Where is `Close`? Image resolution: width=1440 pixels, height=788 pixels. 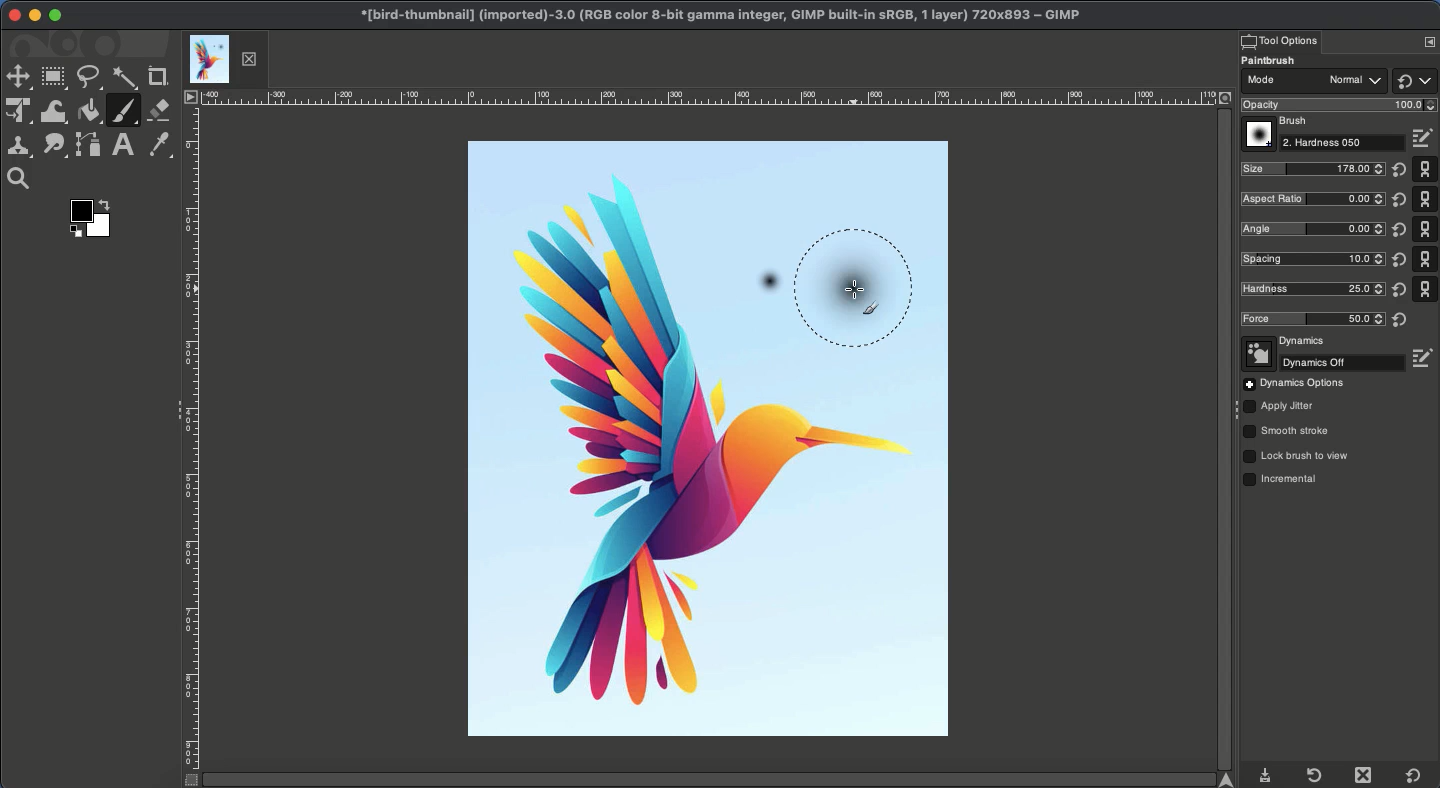
Close is located at coordinates (15, 16).